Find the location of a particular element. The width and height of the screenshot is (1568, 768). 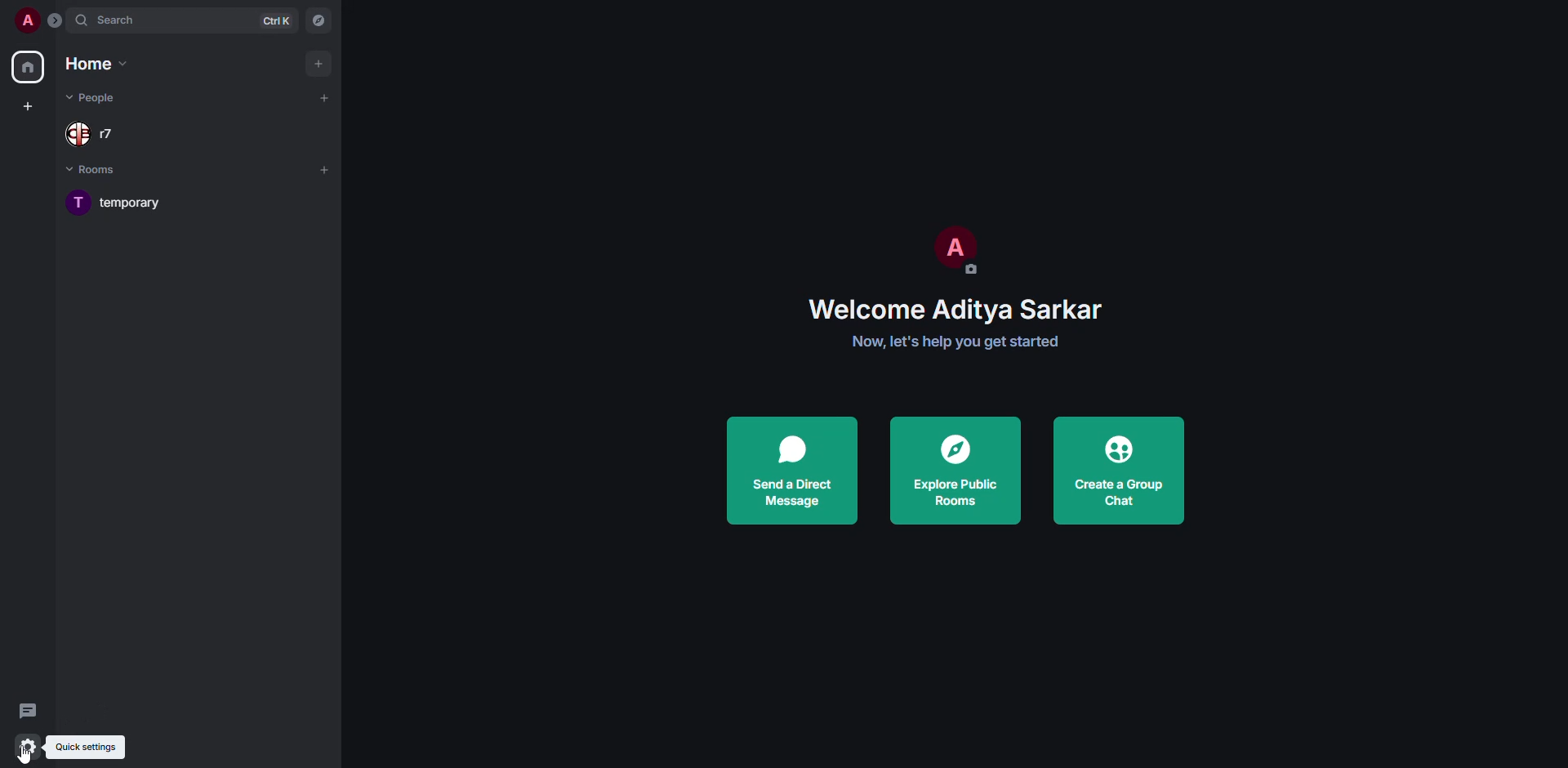

threads is located at coordinates (29, 711).